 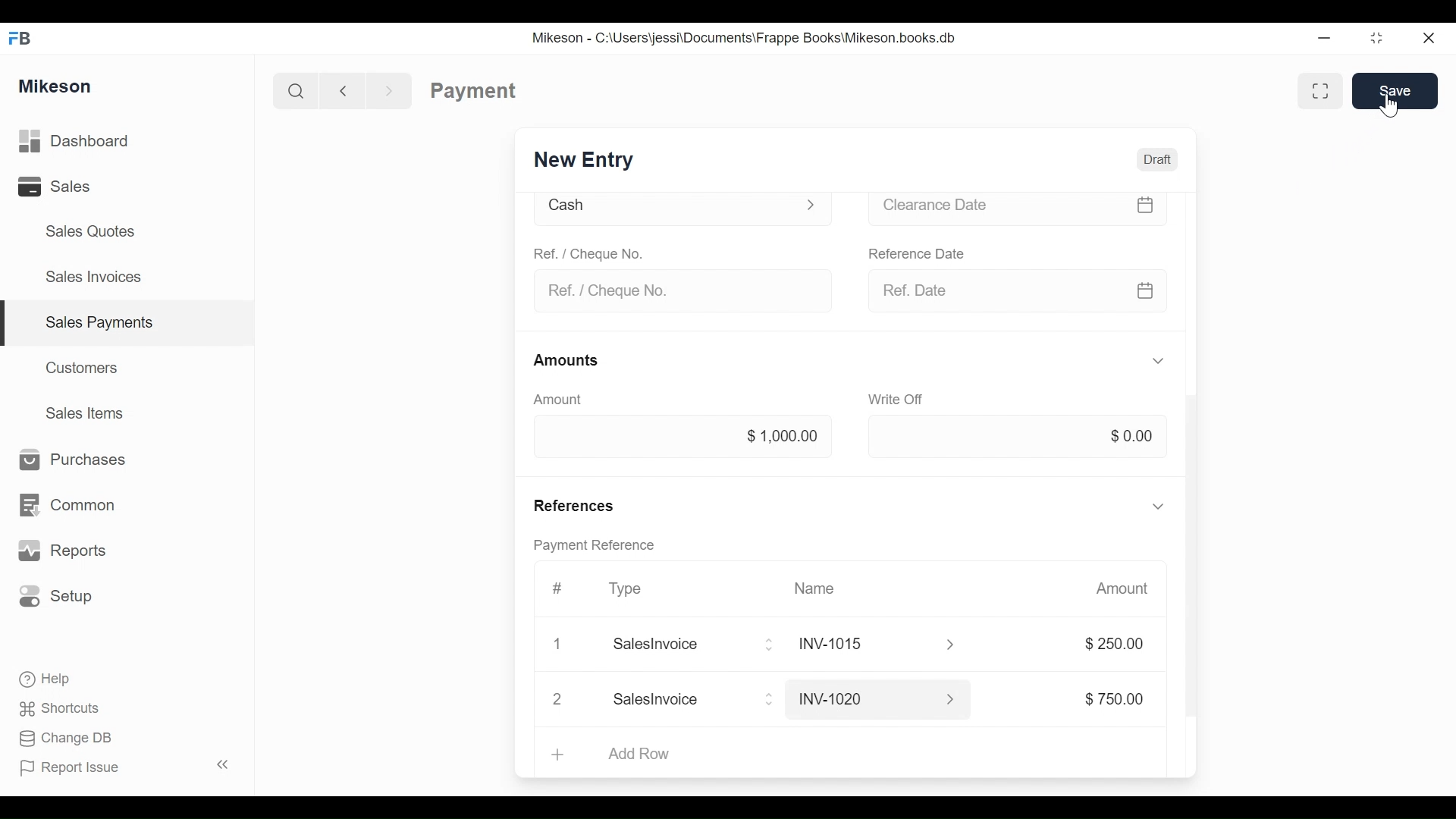 I want to click on Common, so click(x=75, y=497).